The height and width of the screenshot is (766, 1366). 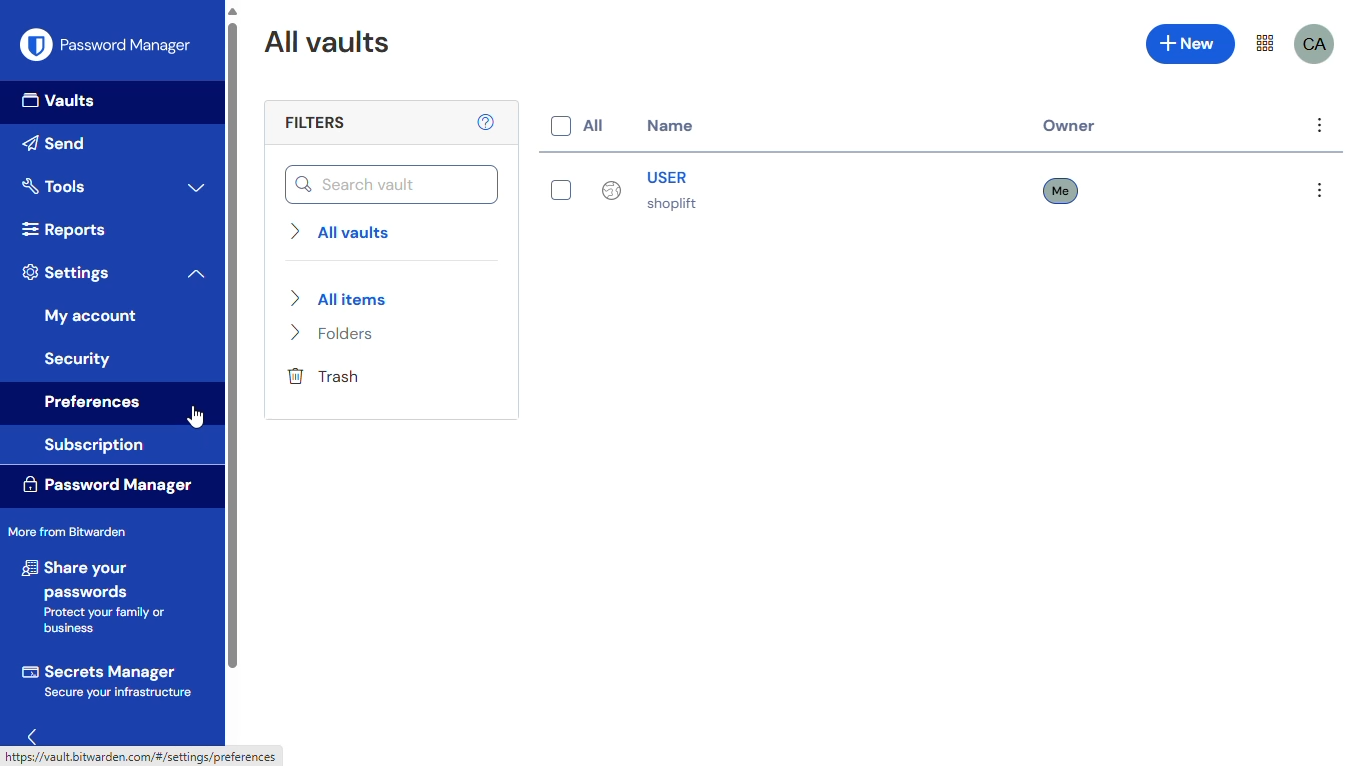 I want to click on send, so click(x=59, y=143).